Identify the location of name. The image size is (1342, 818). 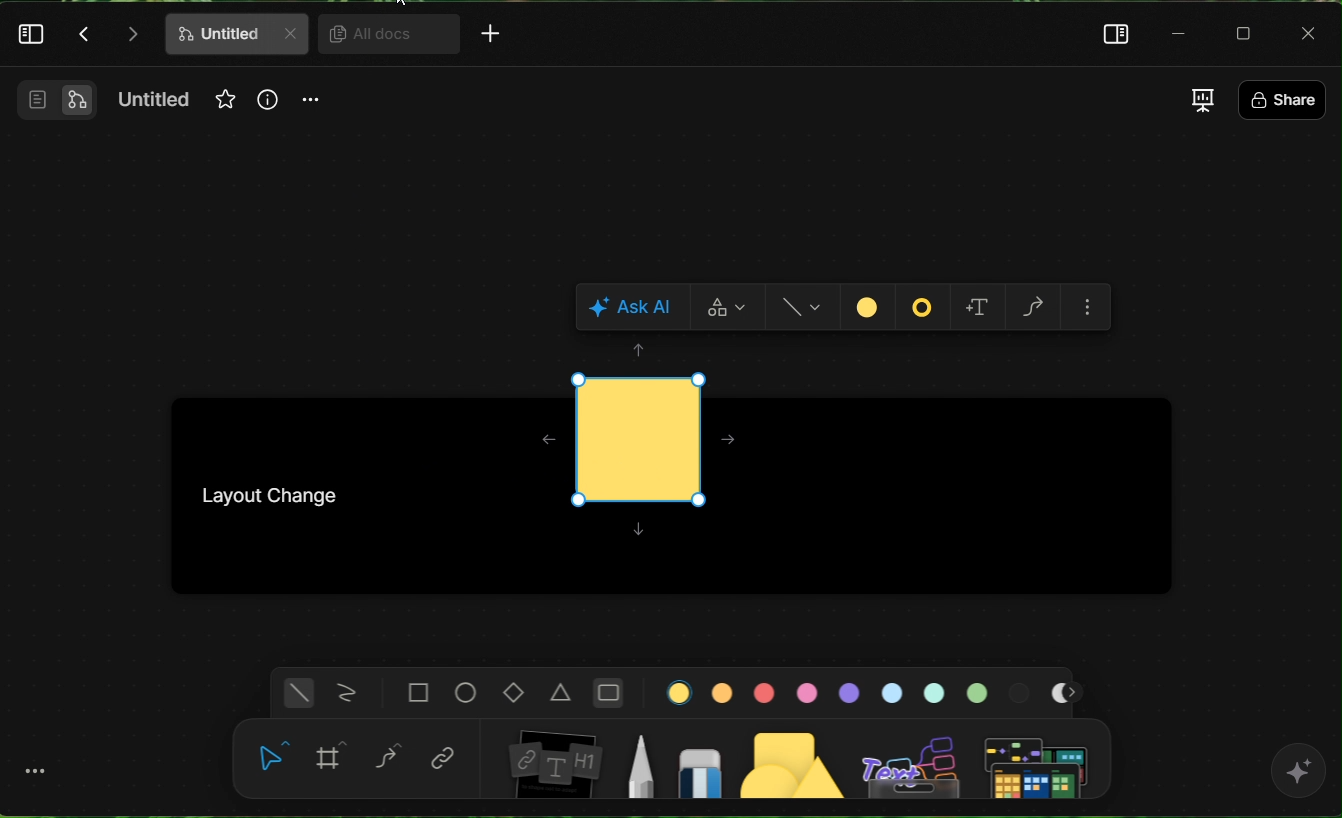
(157, 103).